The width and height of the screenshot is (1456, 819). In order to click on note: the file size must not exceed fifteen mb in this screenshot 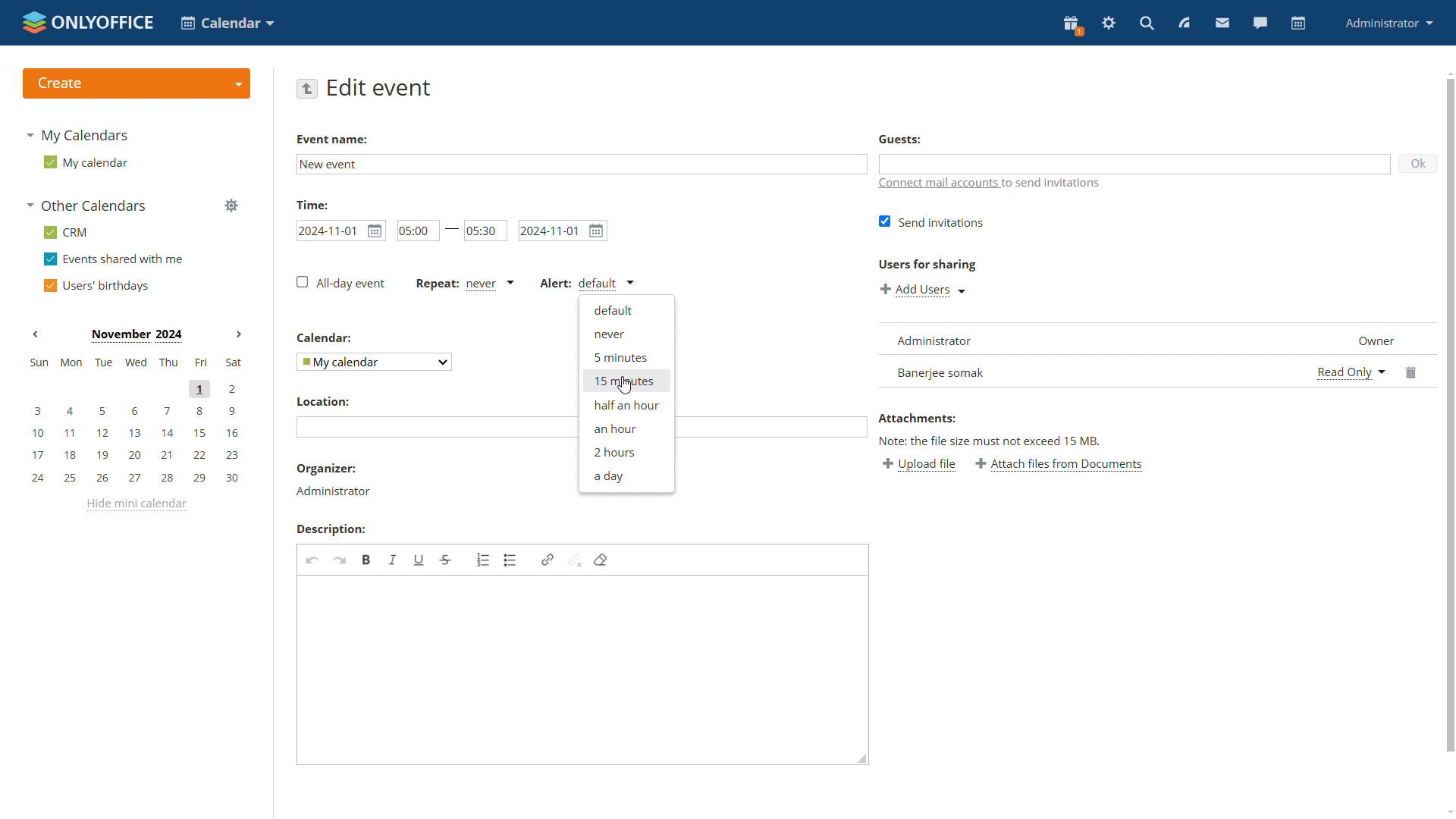, I will do `click(990, 441)`.